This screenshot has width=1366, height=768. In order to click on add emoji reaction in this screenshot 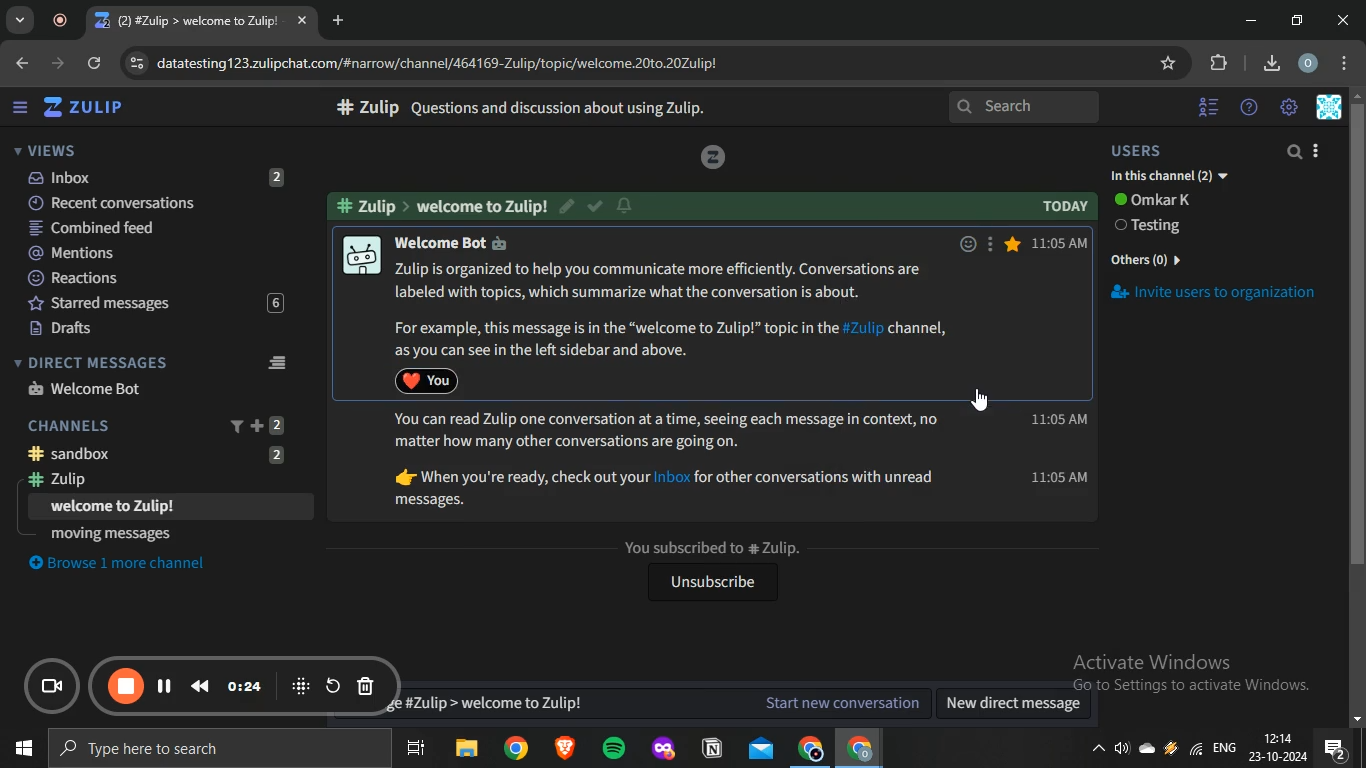, I will do `click(965, 242)`.